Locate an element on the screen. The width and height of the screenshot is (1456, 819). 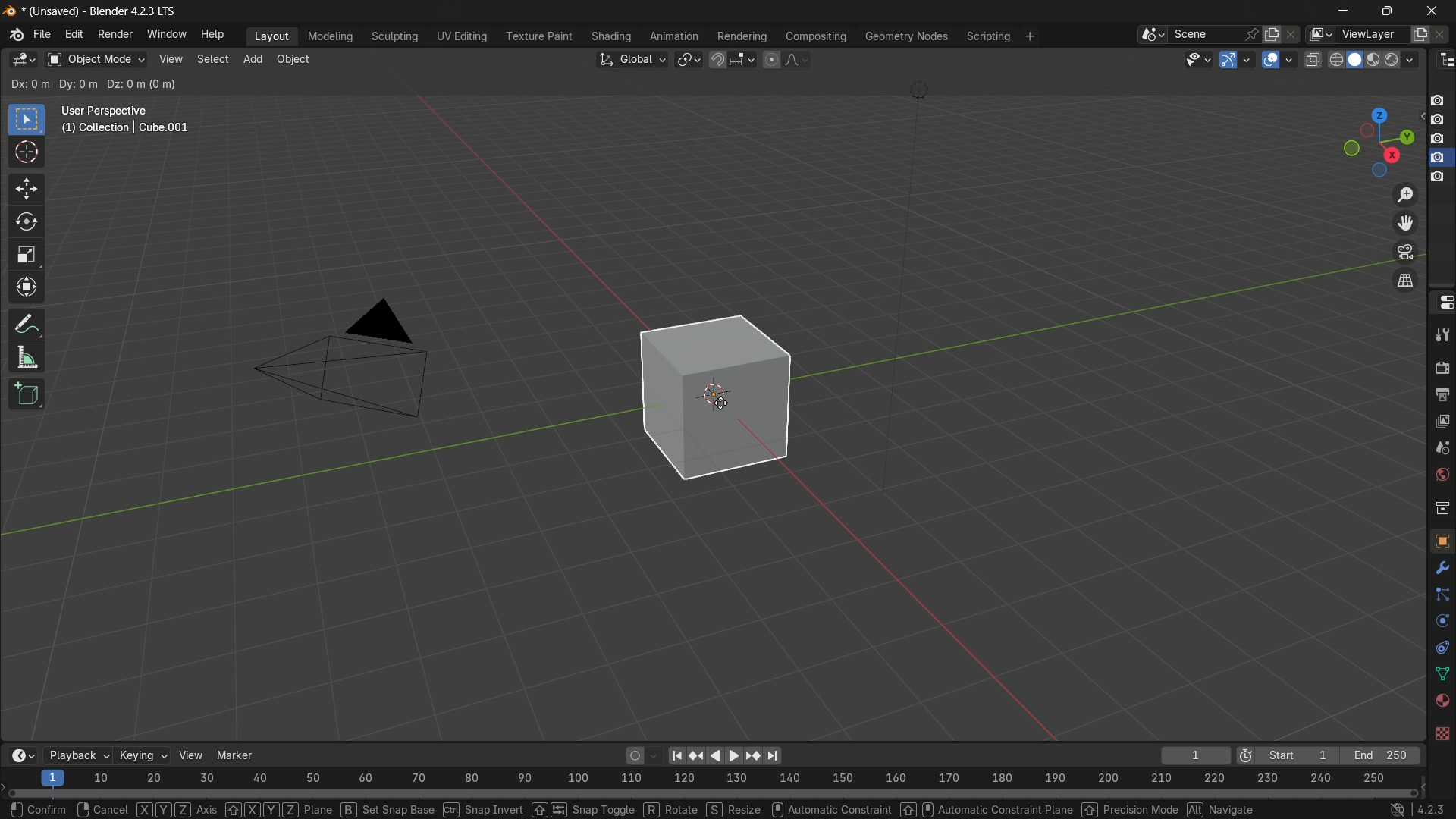
help menu is located at coordinates (214, 34).